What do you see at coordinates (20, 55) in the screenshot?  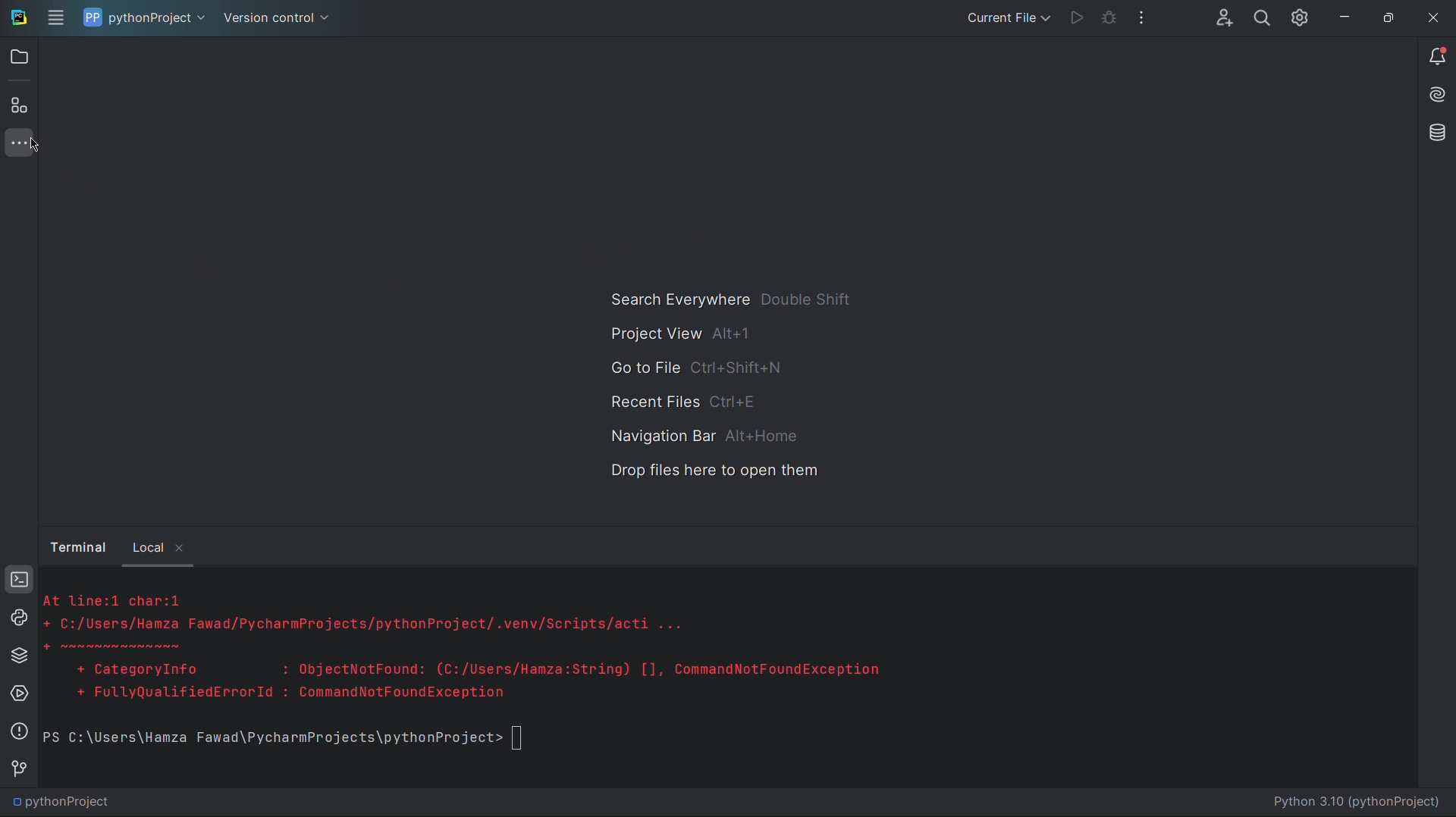 I see `Open` at bounding box center [20, 55].